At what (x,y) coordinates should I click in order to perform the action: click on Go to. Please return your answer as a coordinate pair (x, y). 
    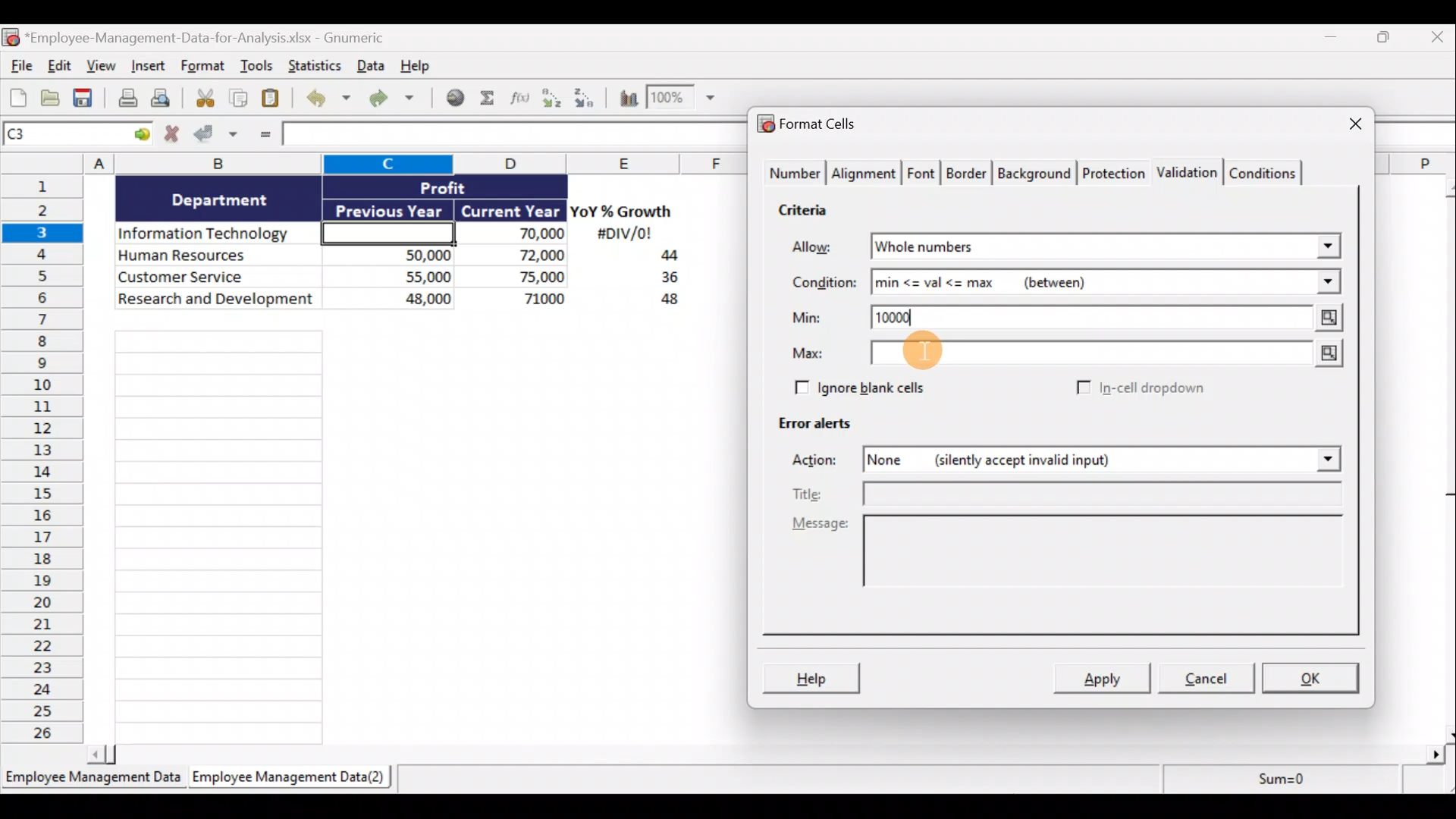
    Looking at the image, I should click on (142, 135).